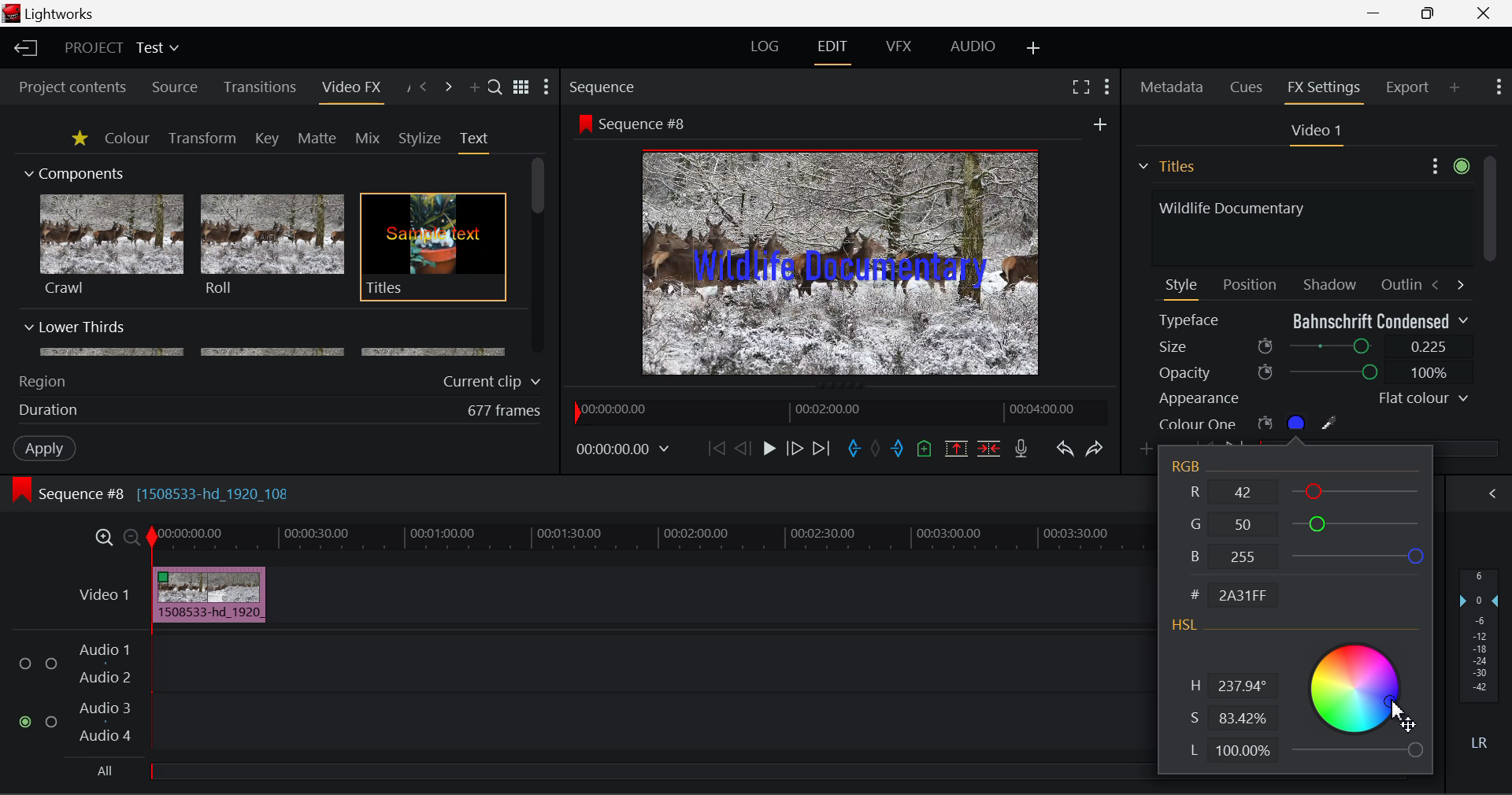 The width and height of the screenshot is (1512, 795). I want to click on VFX Layout, so click(898, 46).